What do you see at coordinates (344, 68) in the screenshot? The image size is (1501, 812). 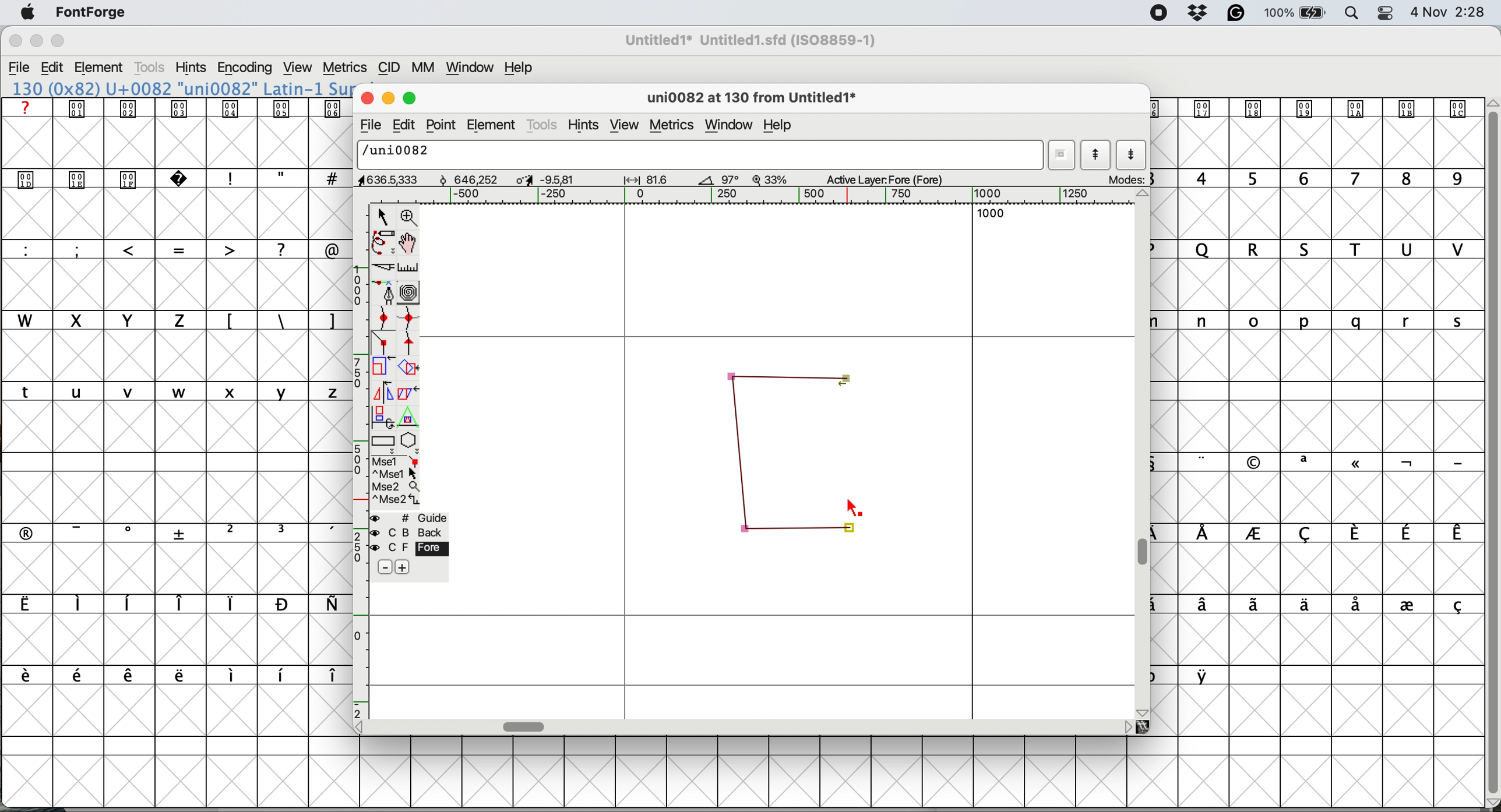 I see `metrics` at bounding box center [344, 68].